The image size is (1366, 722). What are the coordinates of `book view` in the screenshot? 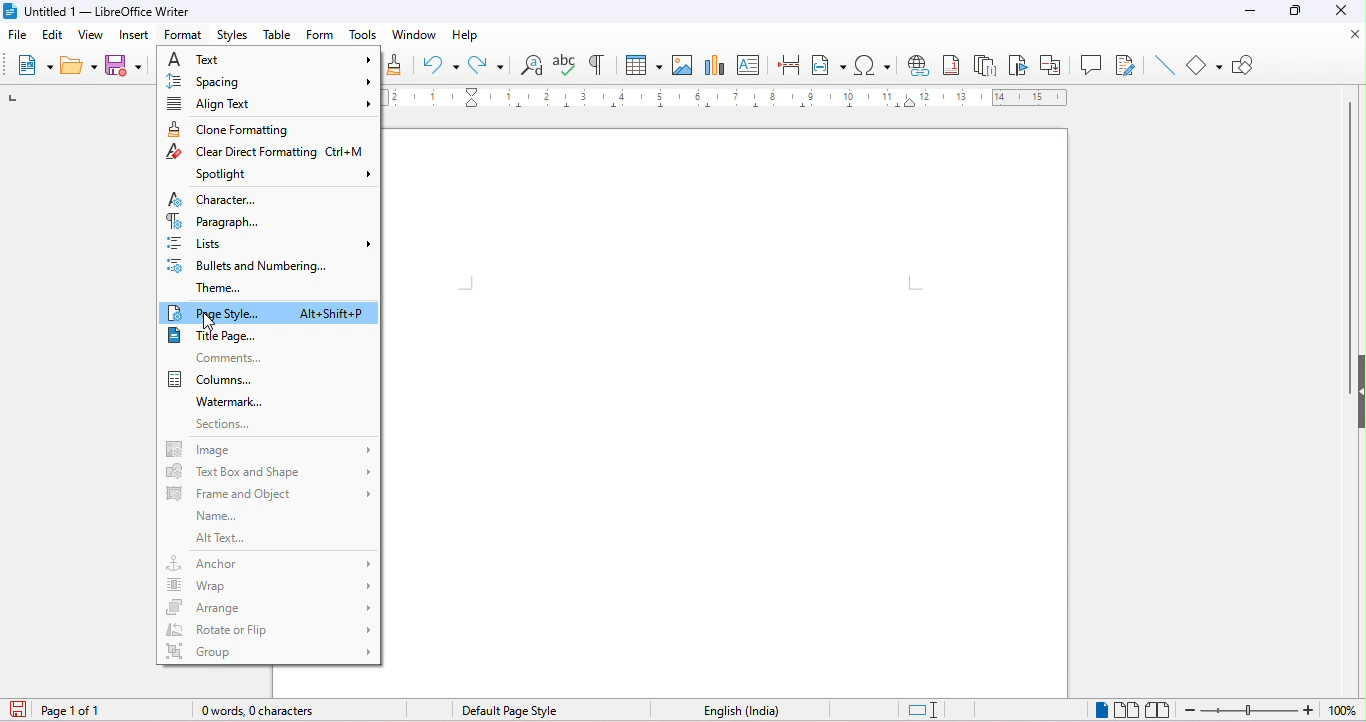 It's located at (1161, 706).